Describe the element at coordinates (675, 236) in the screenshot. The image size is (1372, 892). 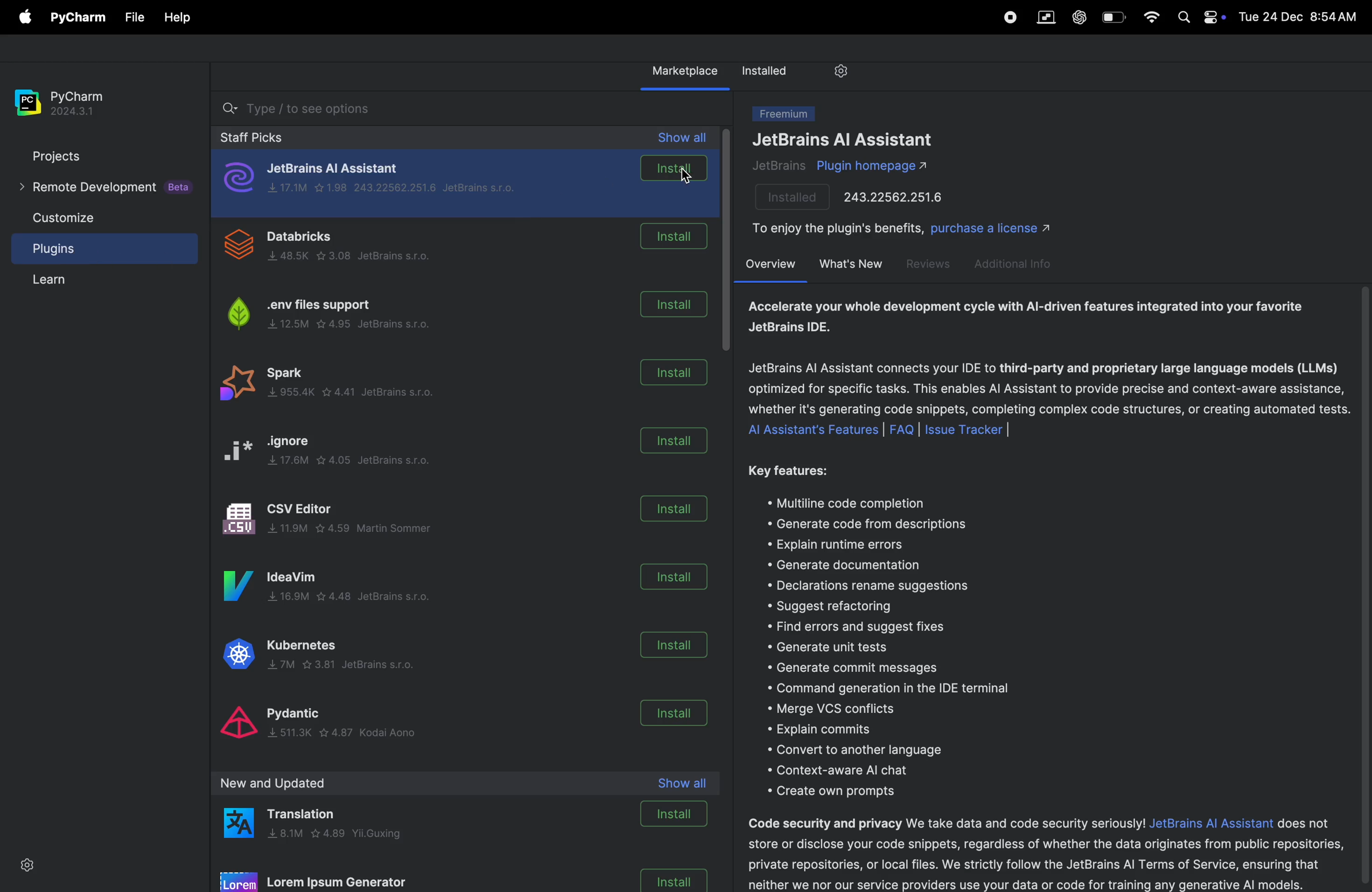
I see `install` at that location.